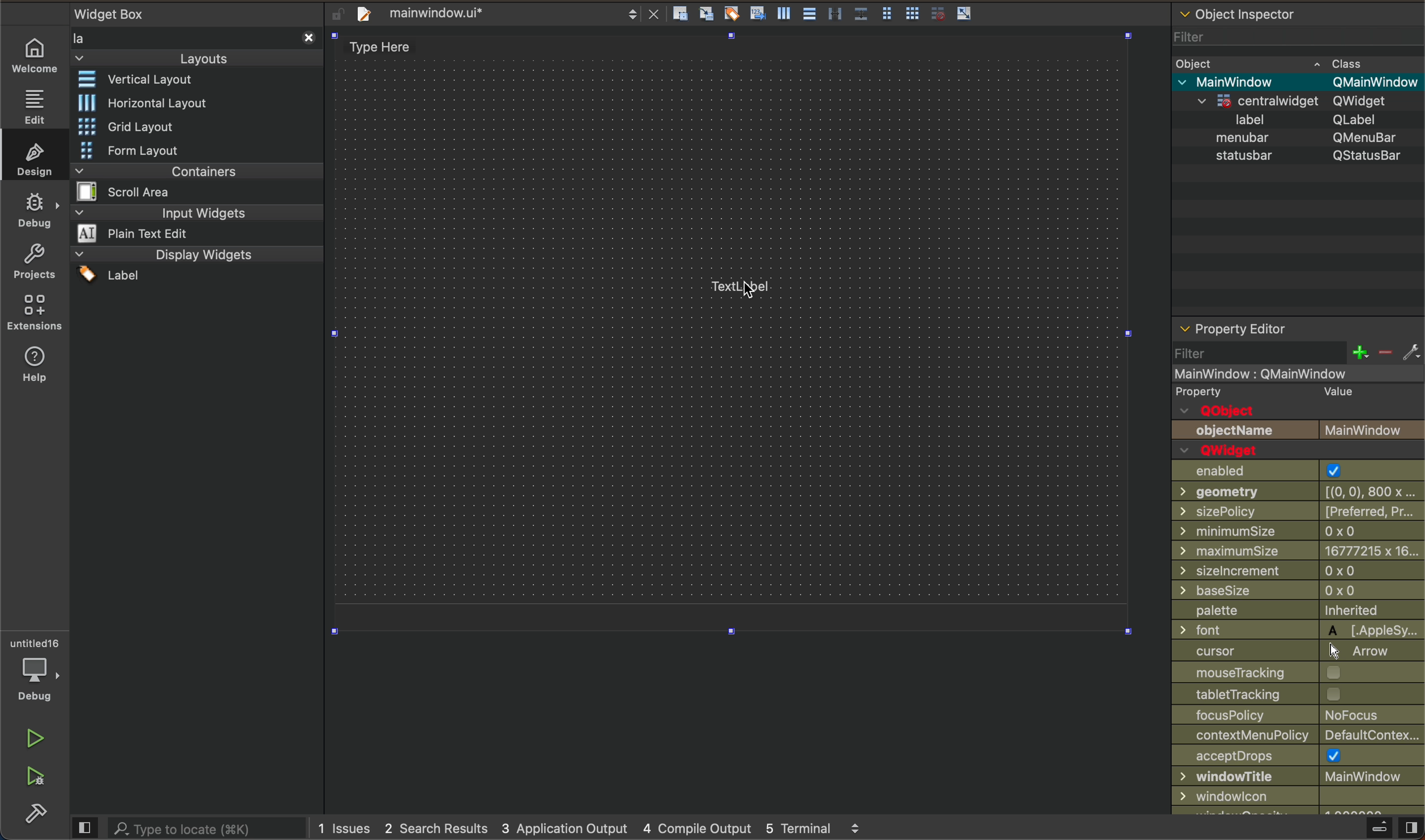 This screenshot has width=1425, height=840. I want to click on label, so click(1300, 121).